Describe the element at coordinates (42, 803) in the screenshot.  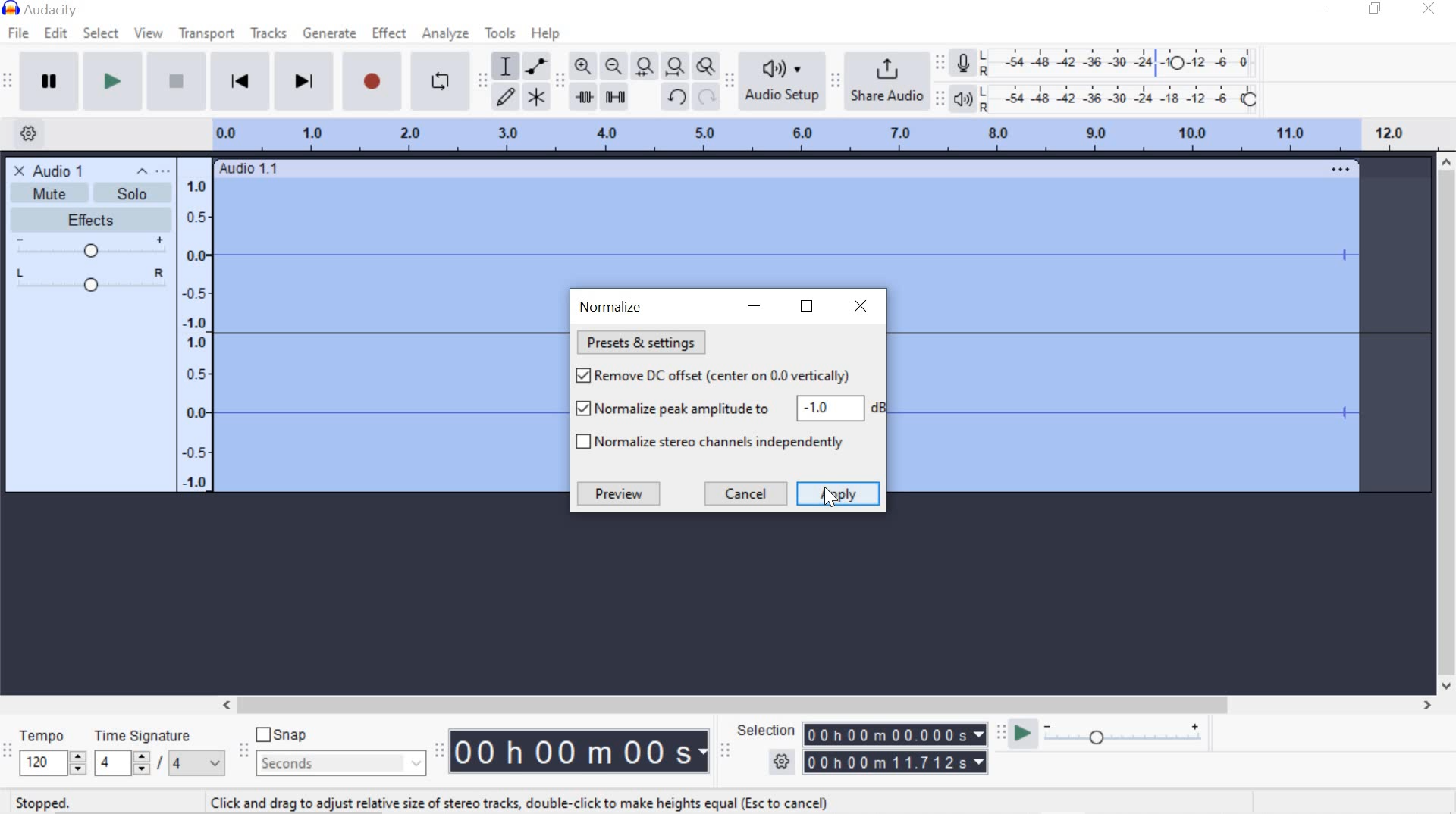
I see `STOPPED` at that location.